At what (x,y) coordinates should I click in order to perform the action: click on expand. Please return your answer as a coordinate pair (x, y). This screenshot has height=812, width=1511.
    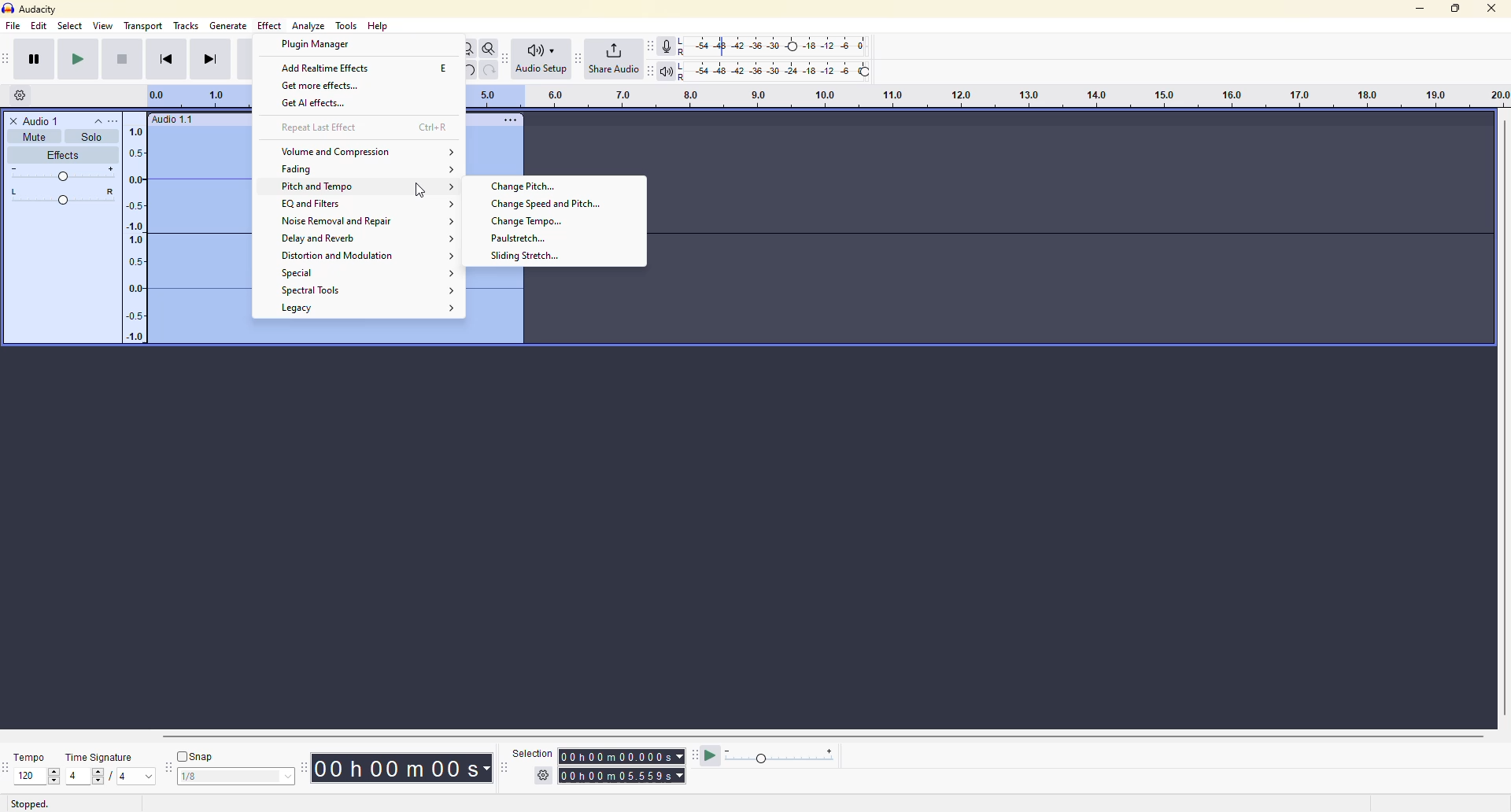
    Looking at the image, I should click on (450, 274).